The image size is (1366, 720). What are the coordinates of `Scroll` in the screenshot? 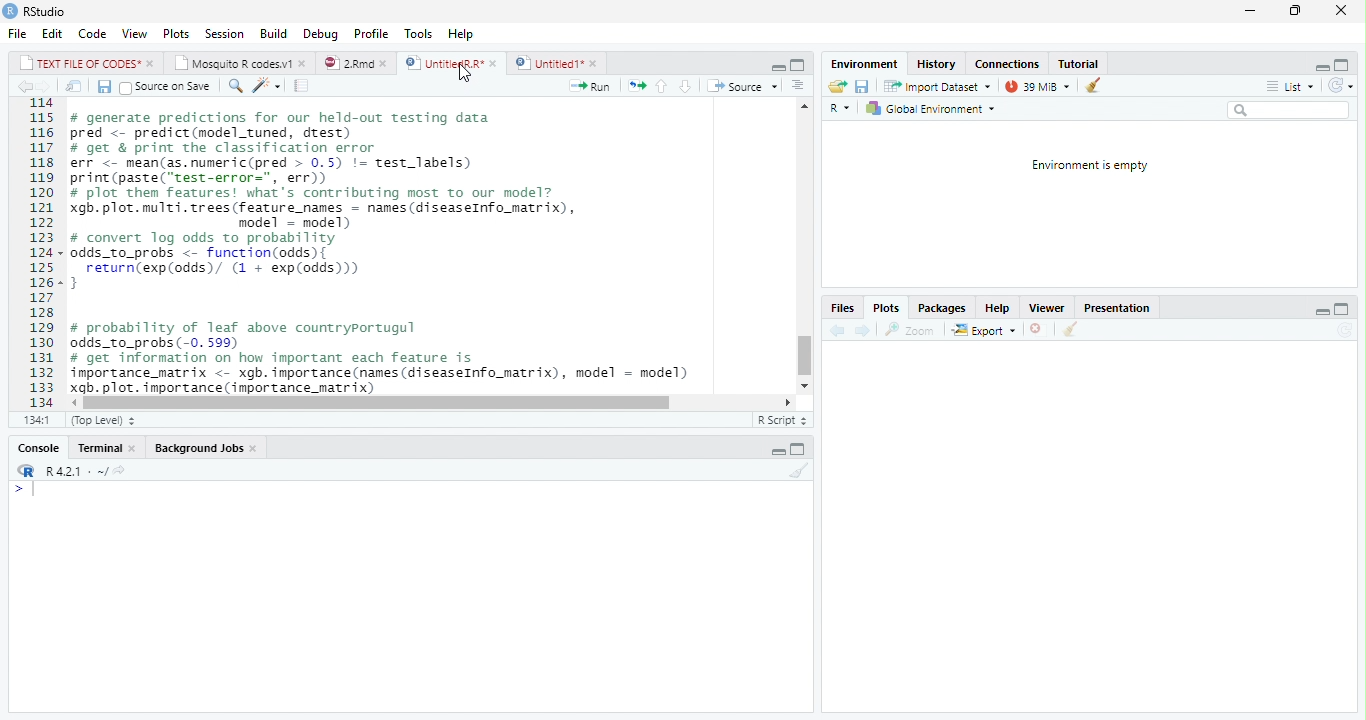 It's located at (431, 404).